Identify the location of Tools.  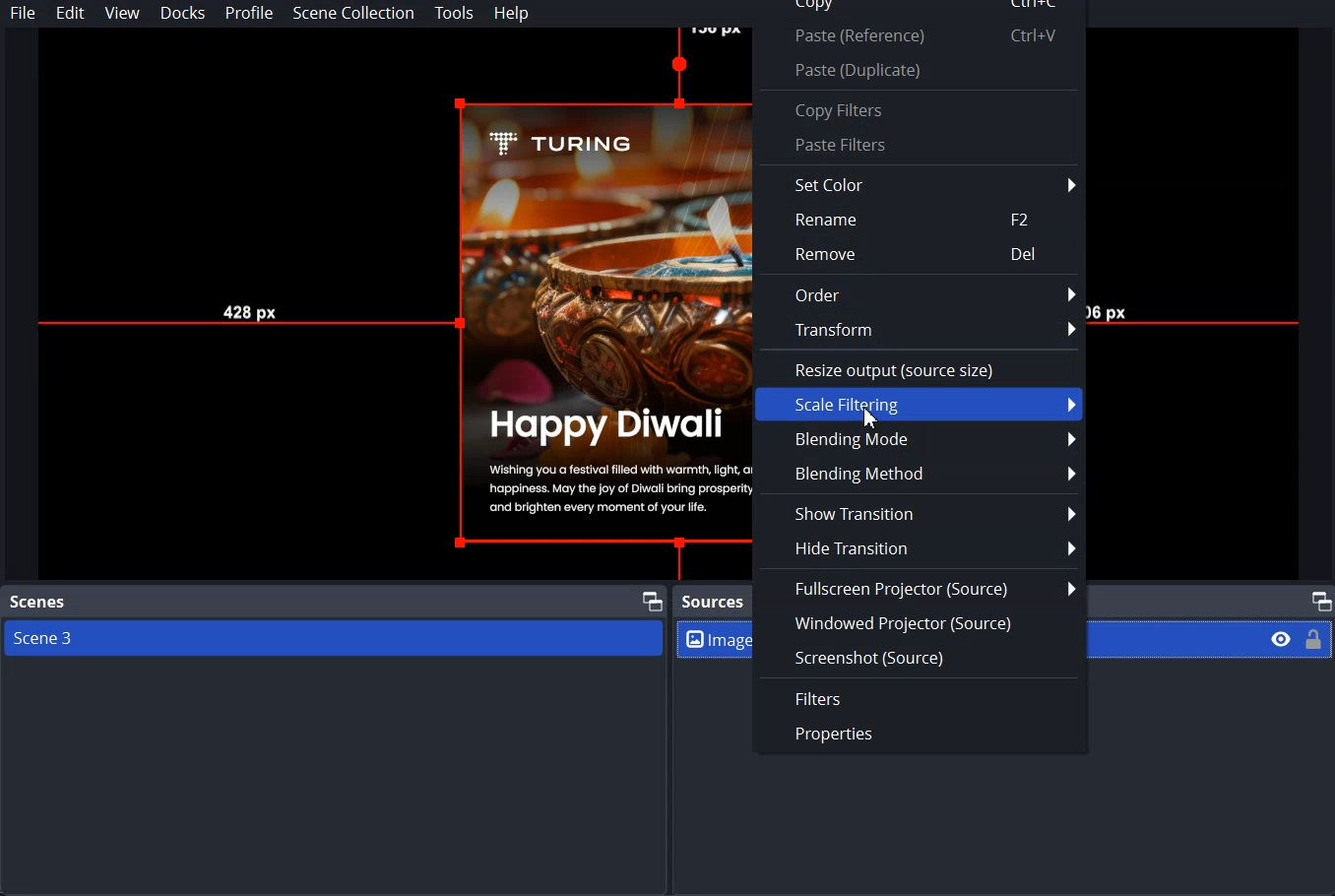
(454, 14).